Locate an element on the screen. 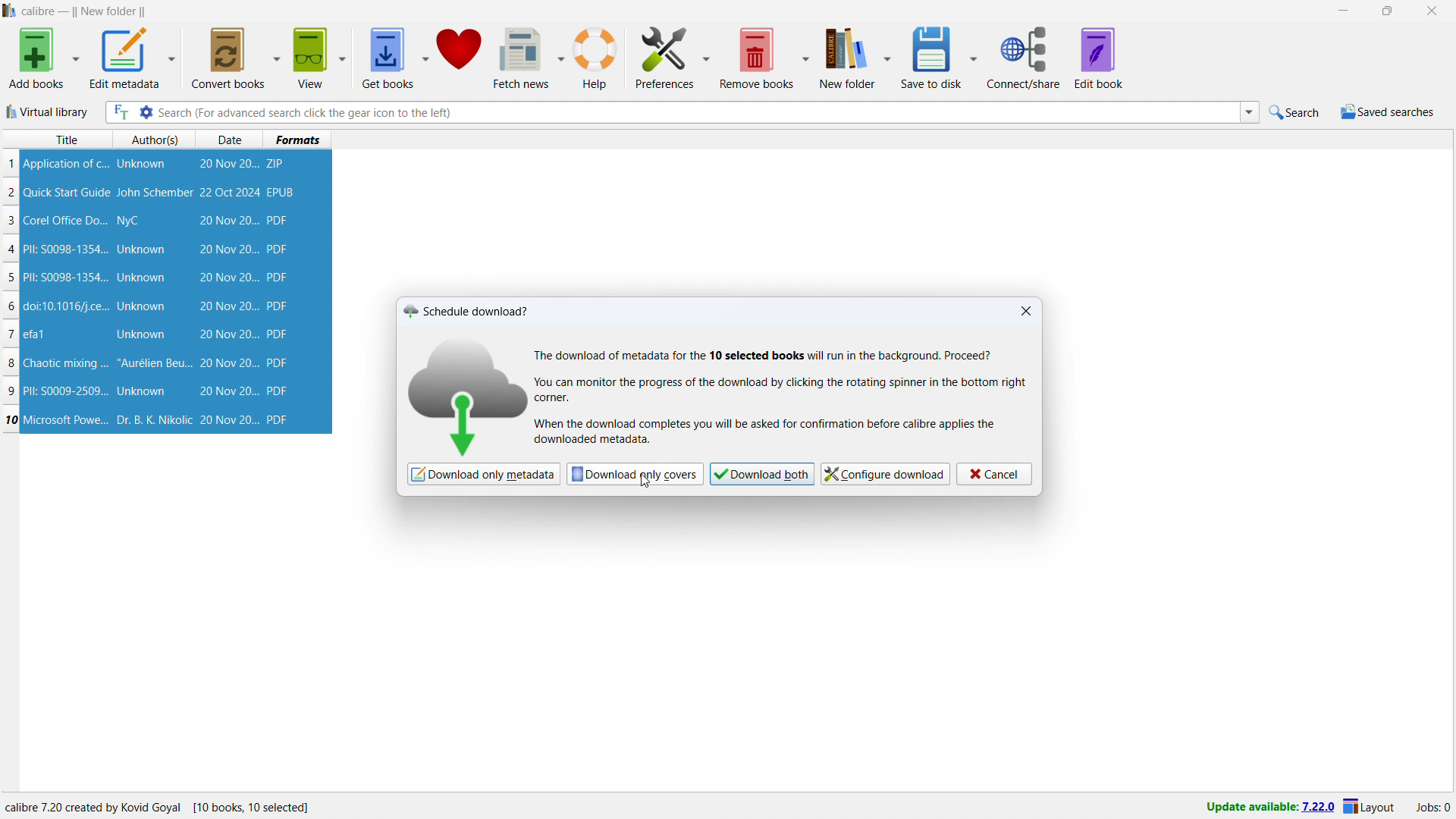 The image size is (1456, 819). cancel is located at coordinates (994, 475).